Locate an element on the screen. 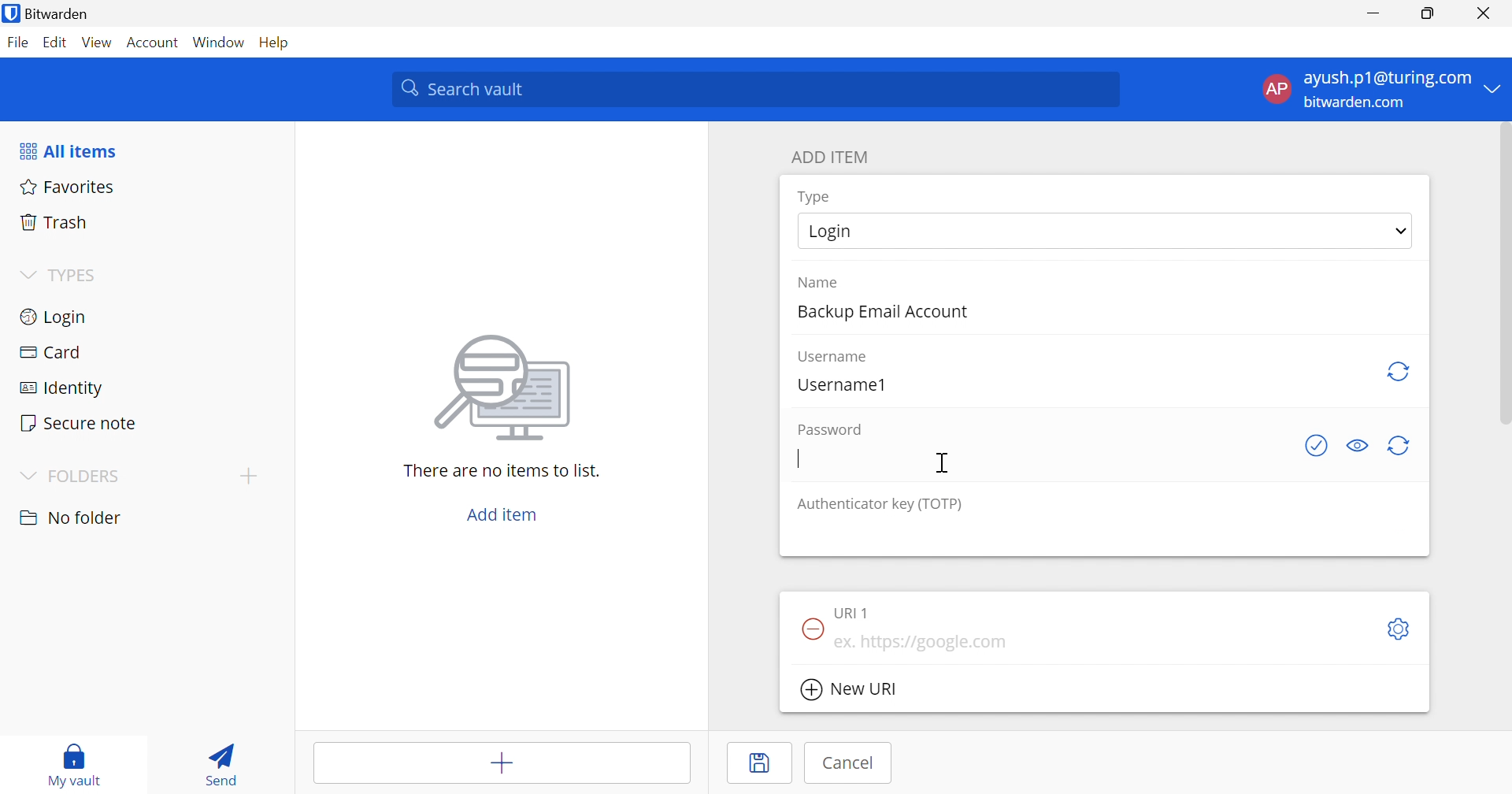  Type is located at coordinates (816, 198).